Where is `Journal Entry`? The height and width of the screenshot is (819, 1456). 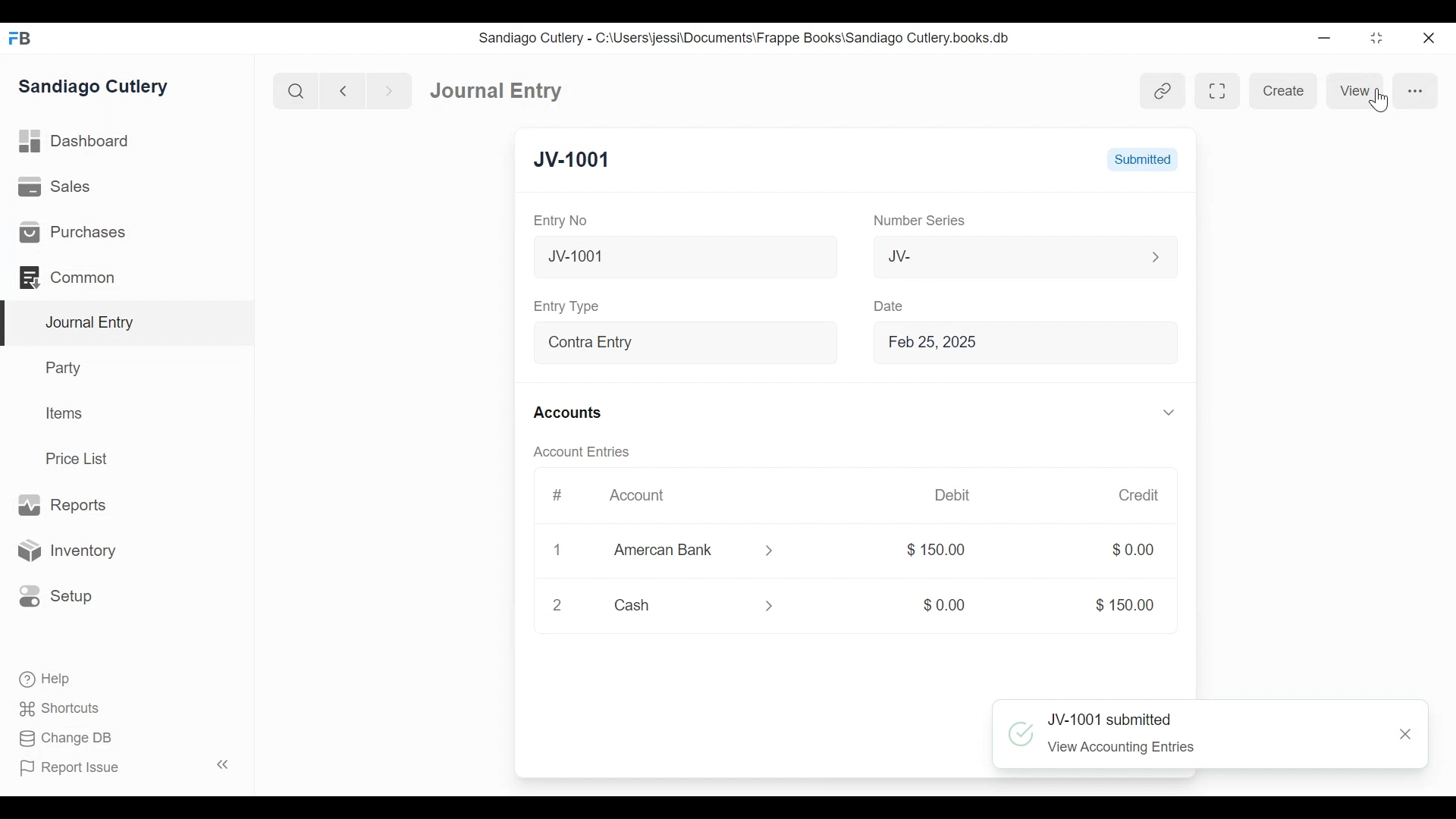 Journal Entry is located at coordinates (497, 89).